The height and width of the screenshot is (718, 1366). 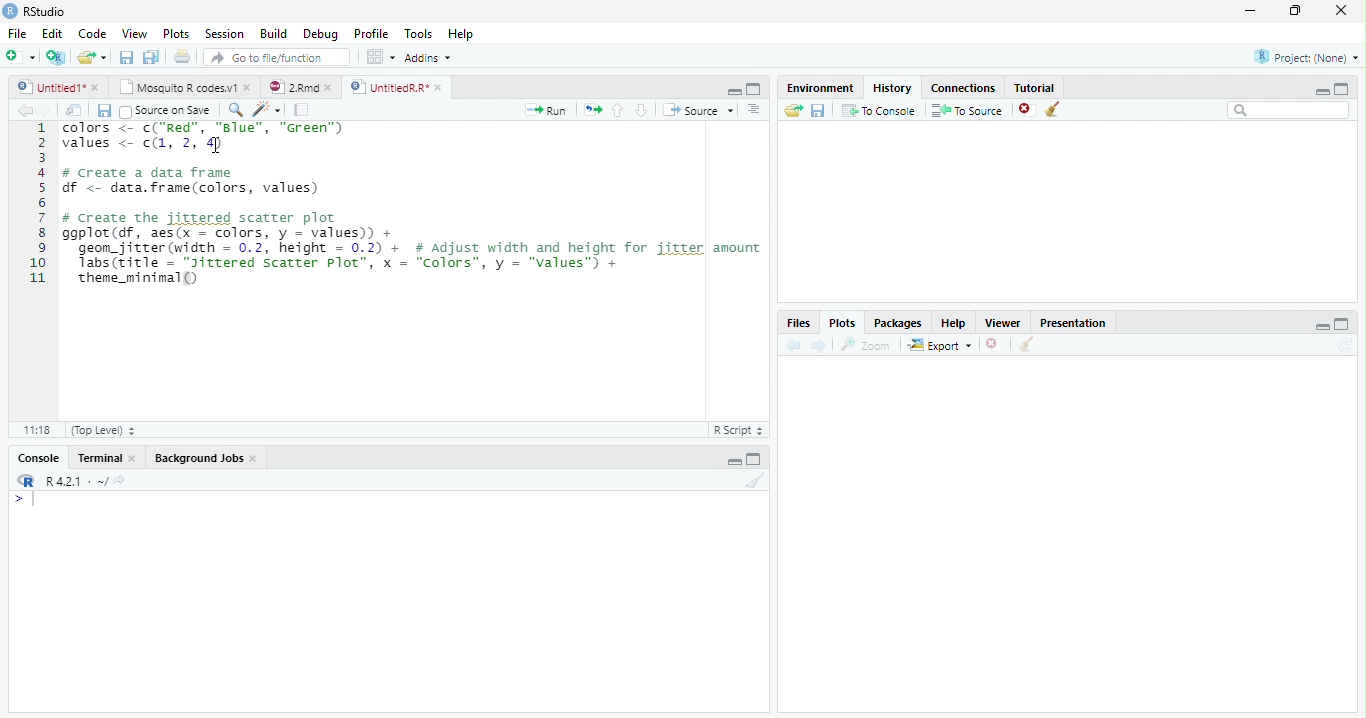 I want to click on Terminal, so click(x=99, y=458).